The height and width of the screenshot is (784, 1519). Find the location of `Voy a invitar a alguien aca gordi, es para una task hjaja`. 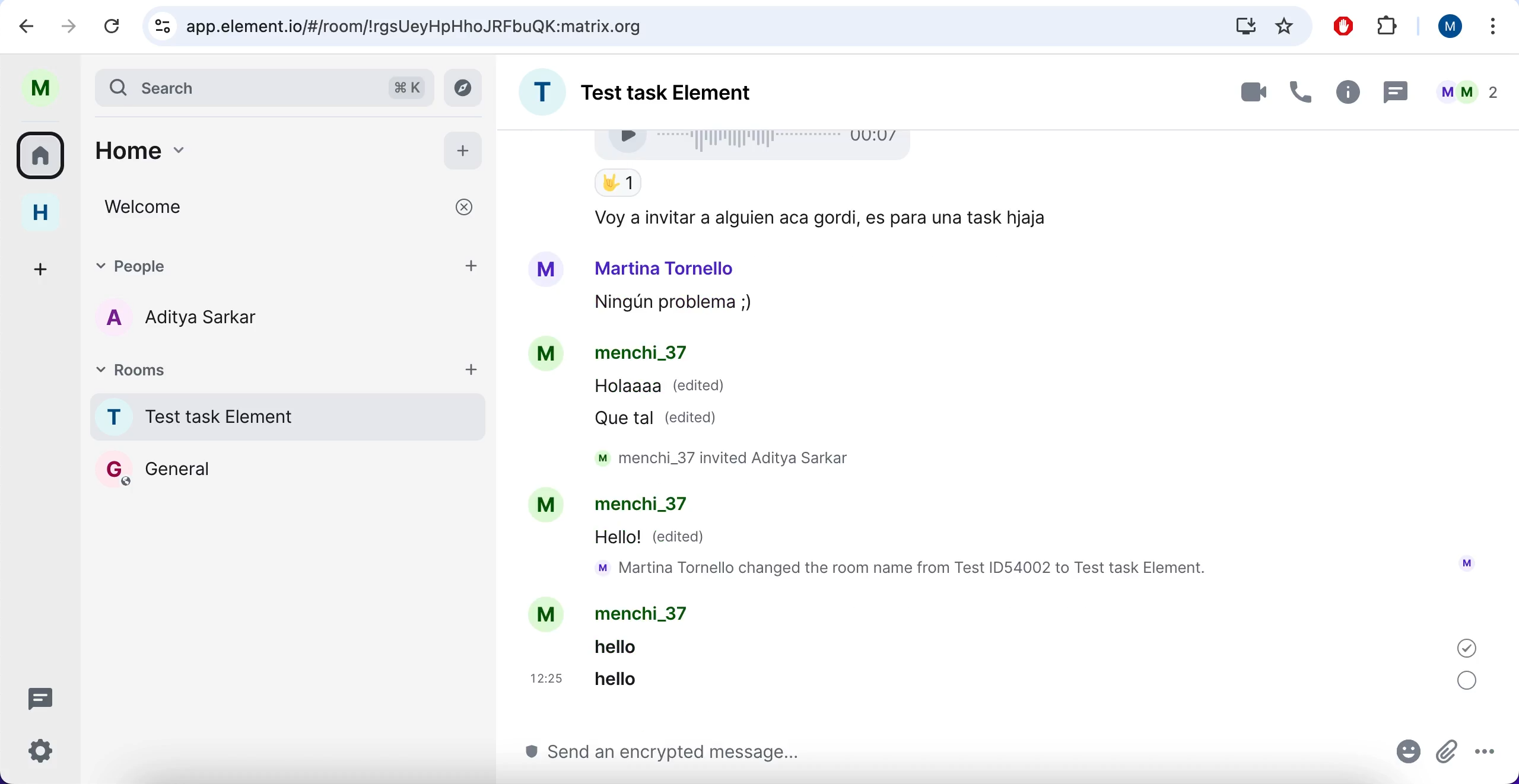

Voy a invitar a alguien aca gordi, es para una task hjaja is located at coordinates (816, 221).